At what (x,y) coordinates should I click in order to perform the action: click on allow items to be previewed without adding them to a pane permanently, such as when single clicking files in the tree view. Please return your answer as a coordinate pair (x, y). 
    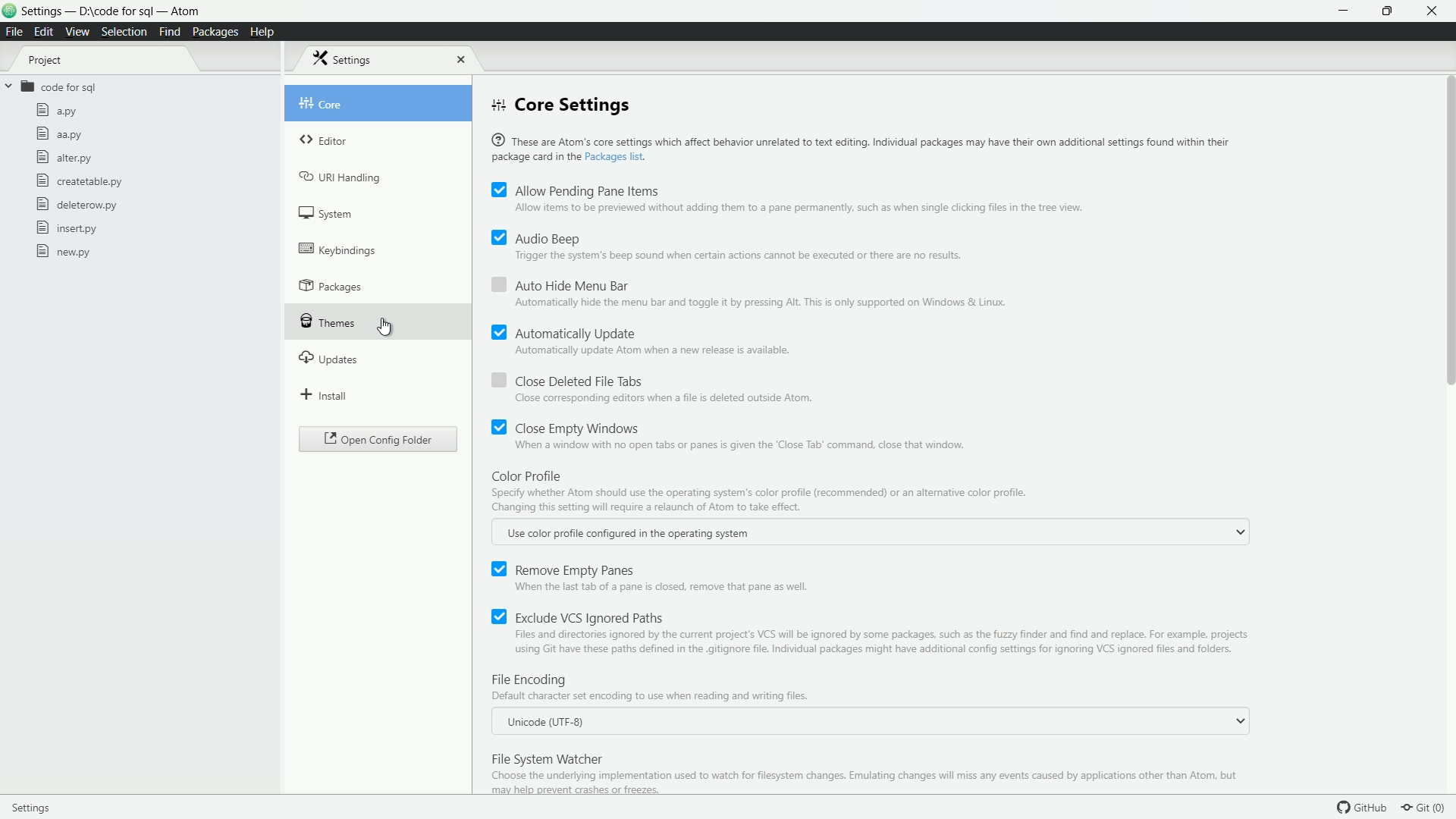
    Looking at the image, I should click on (806, 209).